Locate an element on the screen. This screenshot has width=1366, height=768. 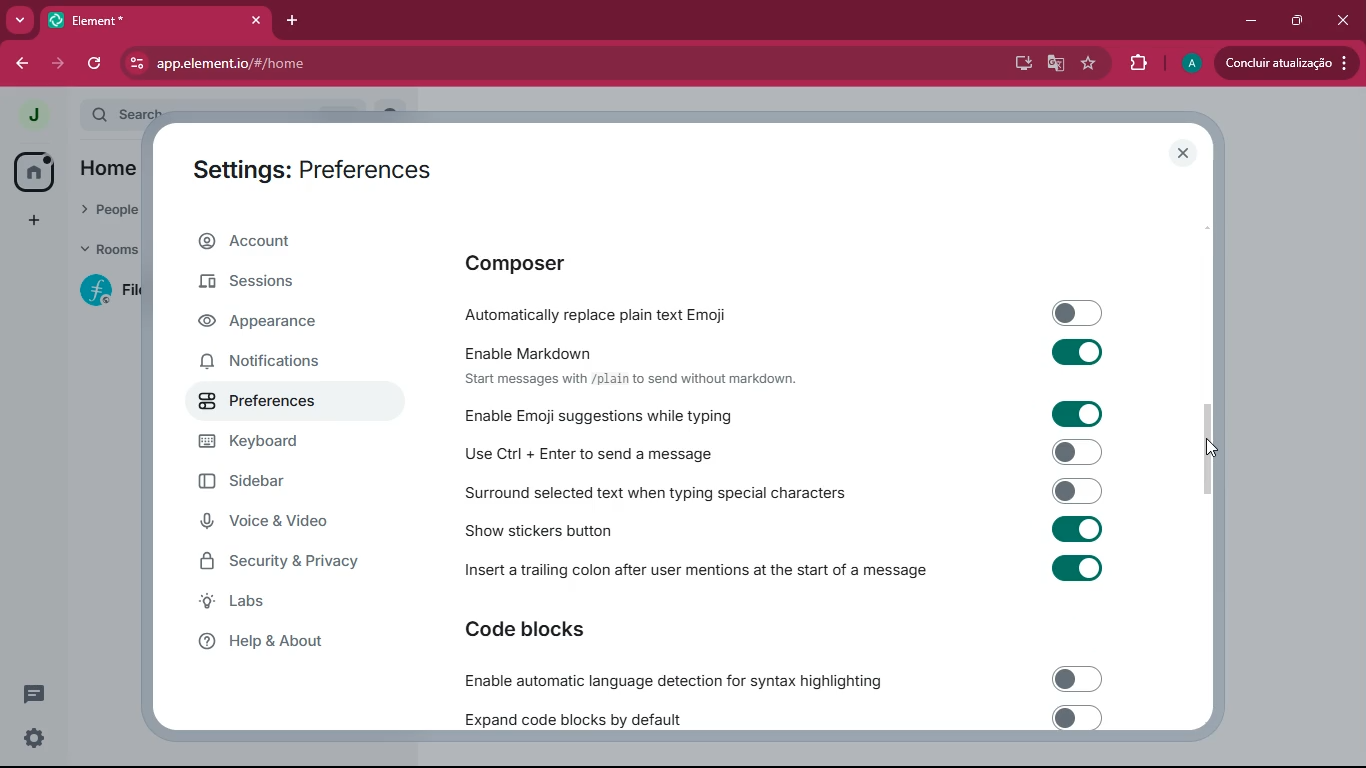
Surround selected text when typing special characters is located at coordinates (781, 491).